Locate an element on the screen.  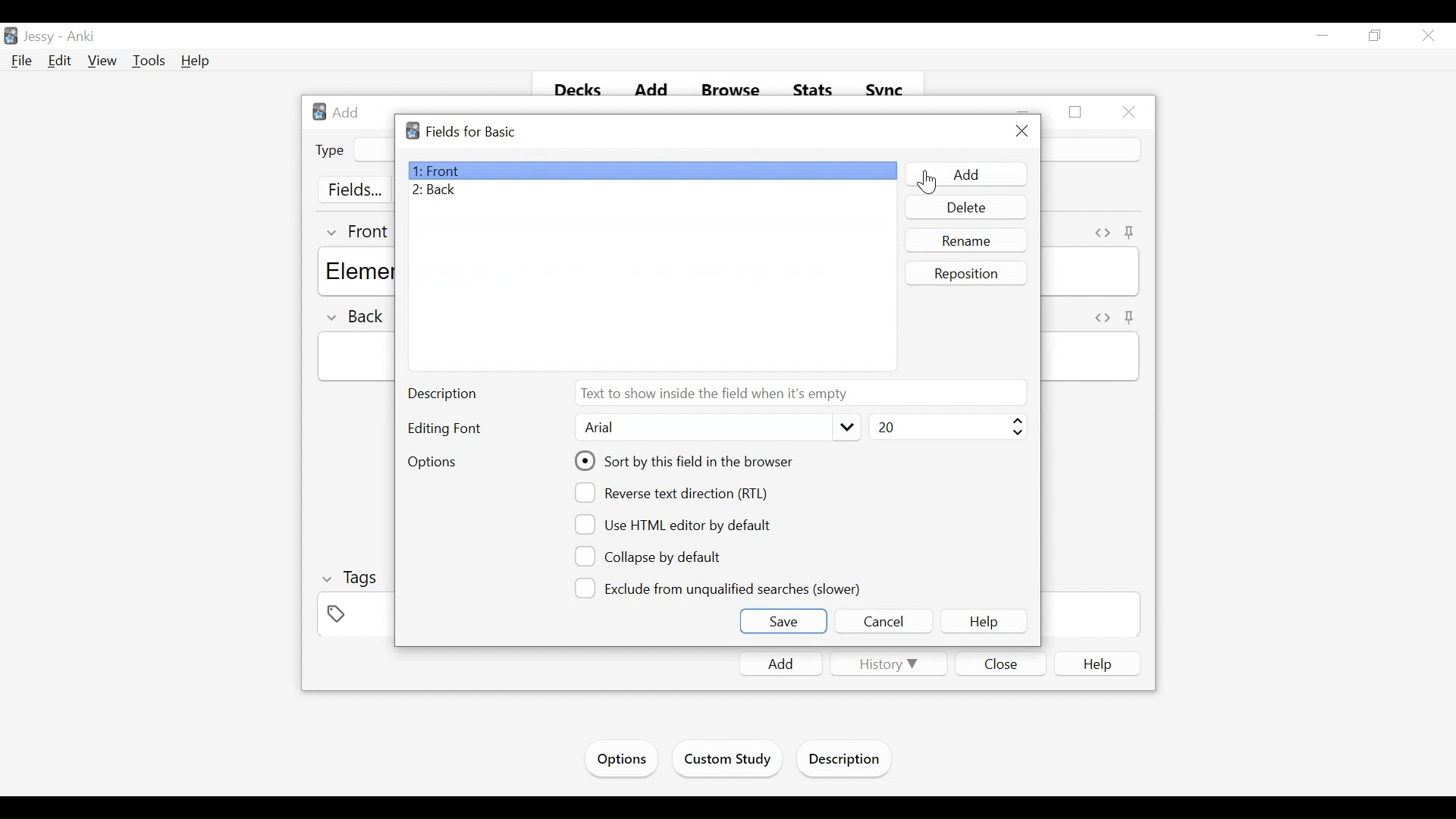
Delete is located at coordinates (966, 207).